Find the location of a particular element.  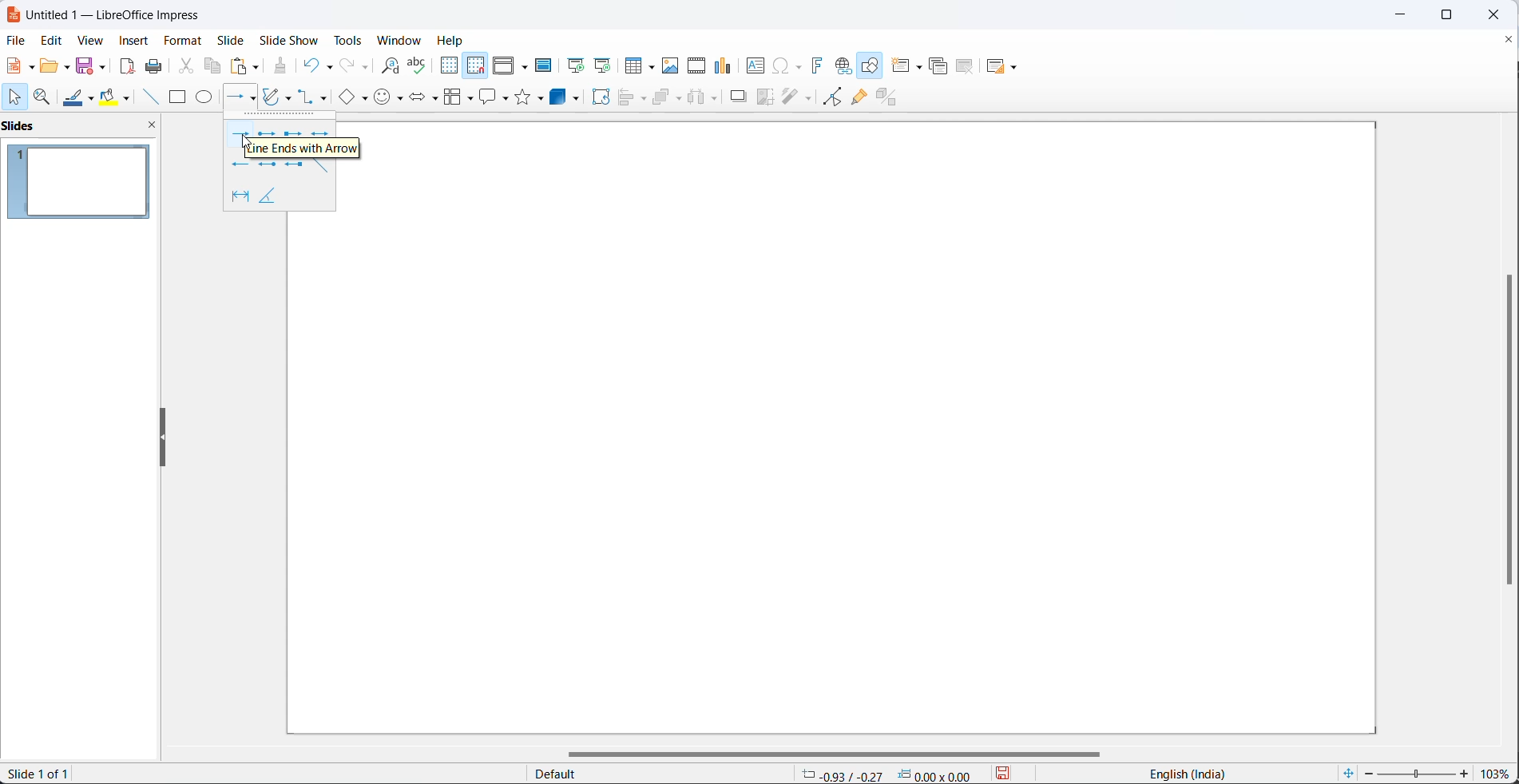

cursor is located at coordinates (244, 142).